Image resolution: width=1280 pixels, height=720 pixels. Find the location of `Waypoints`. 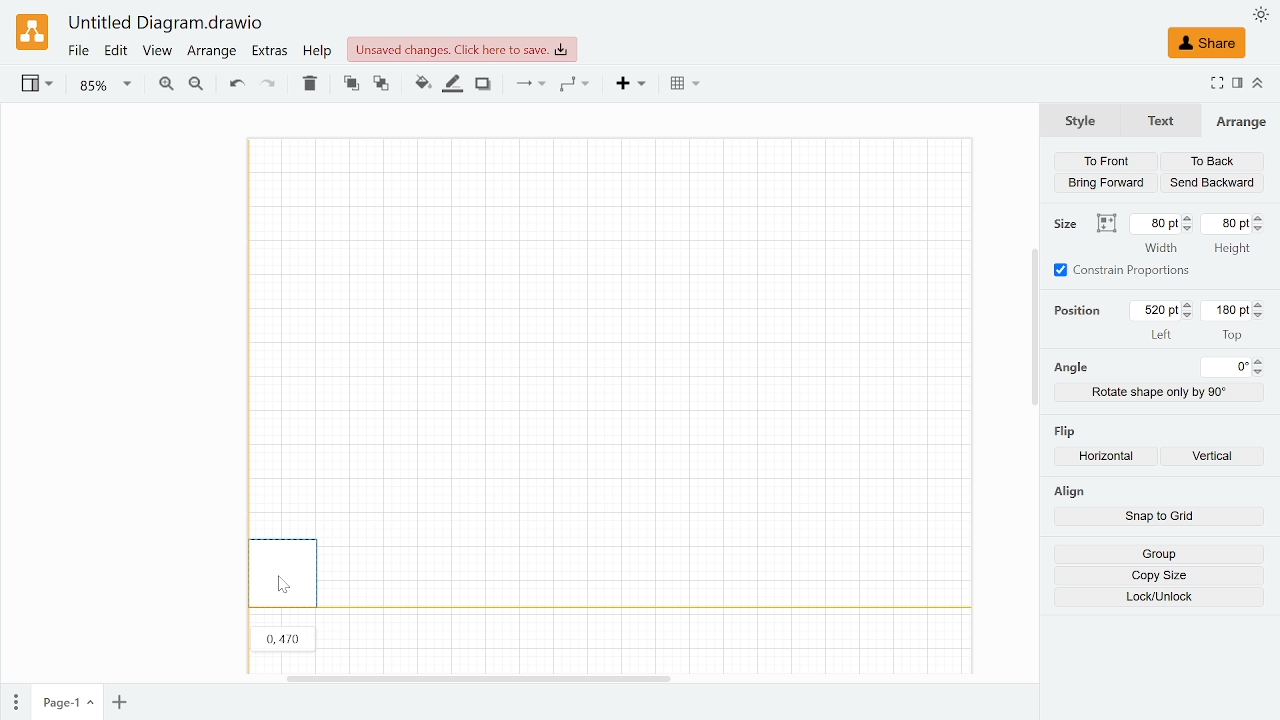

Waypoints is located at coordinates (575, 85).